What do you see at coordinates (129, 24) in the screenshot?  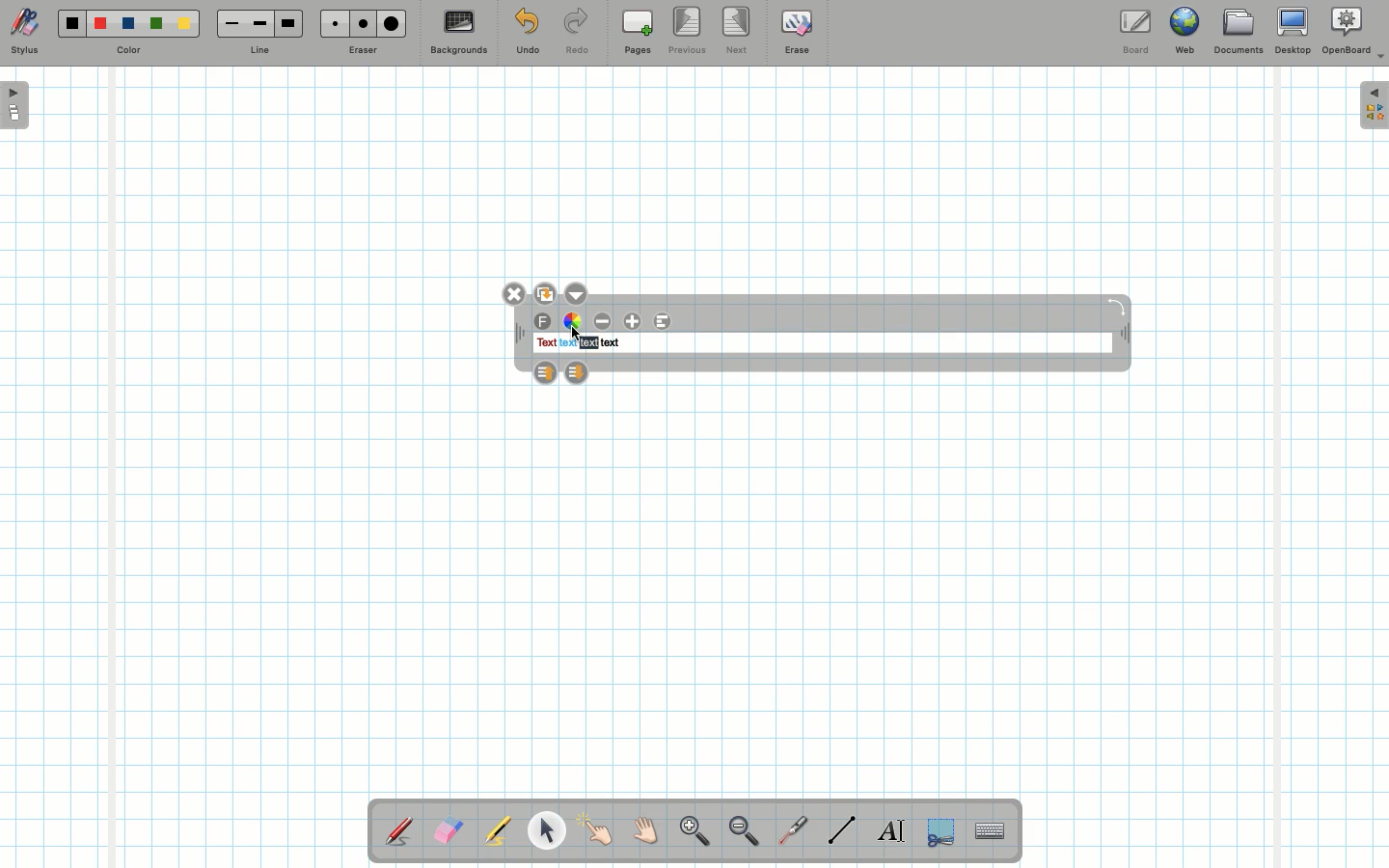 I see `Blue` at bounding box center [129, 24].